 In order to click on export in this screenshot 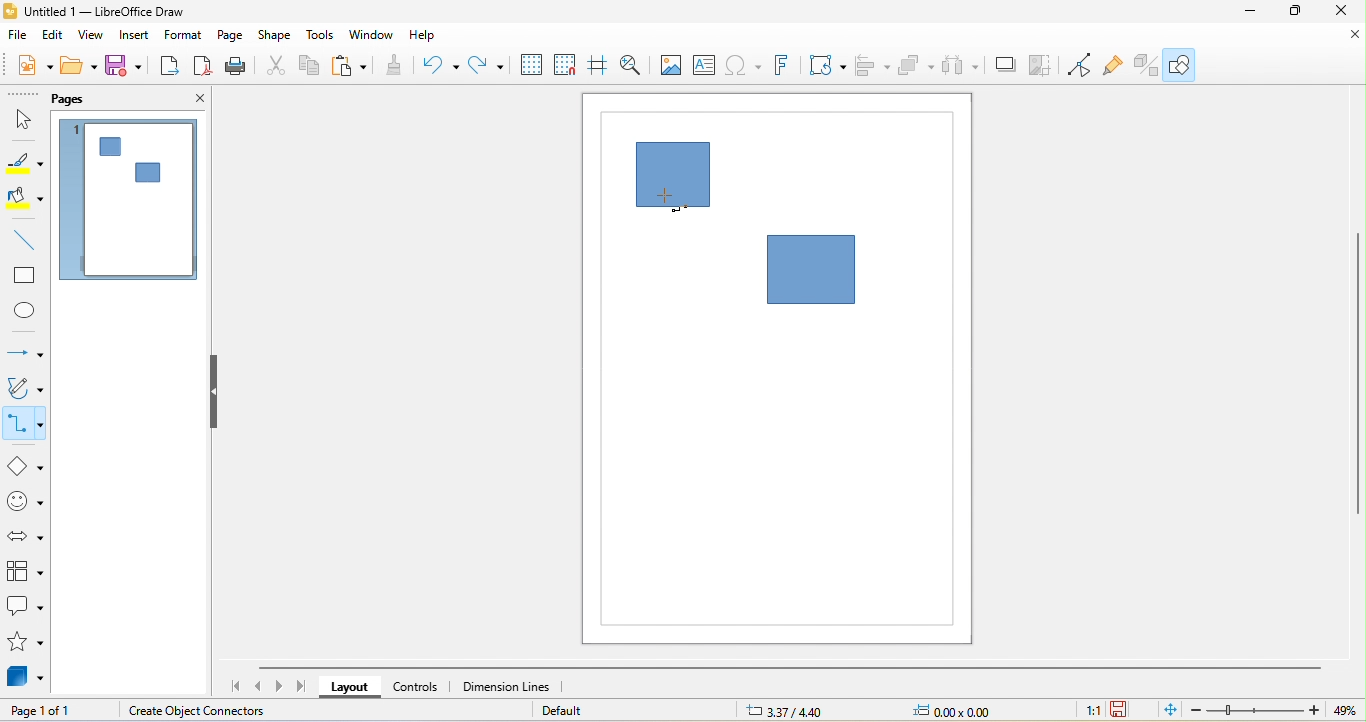, I will do `click(169, 66)`.